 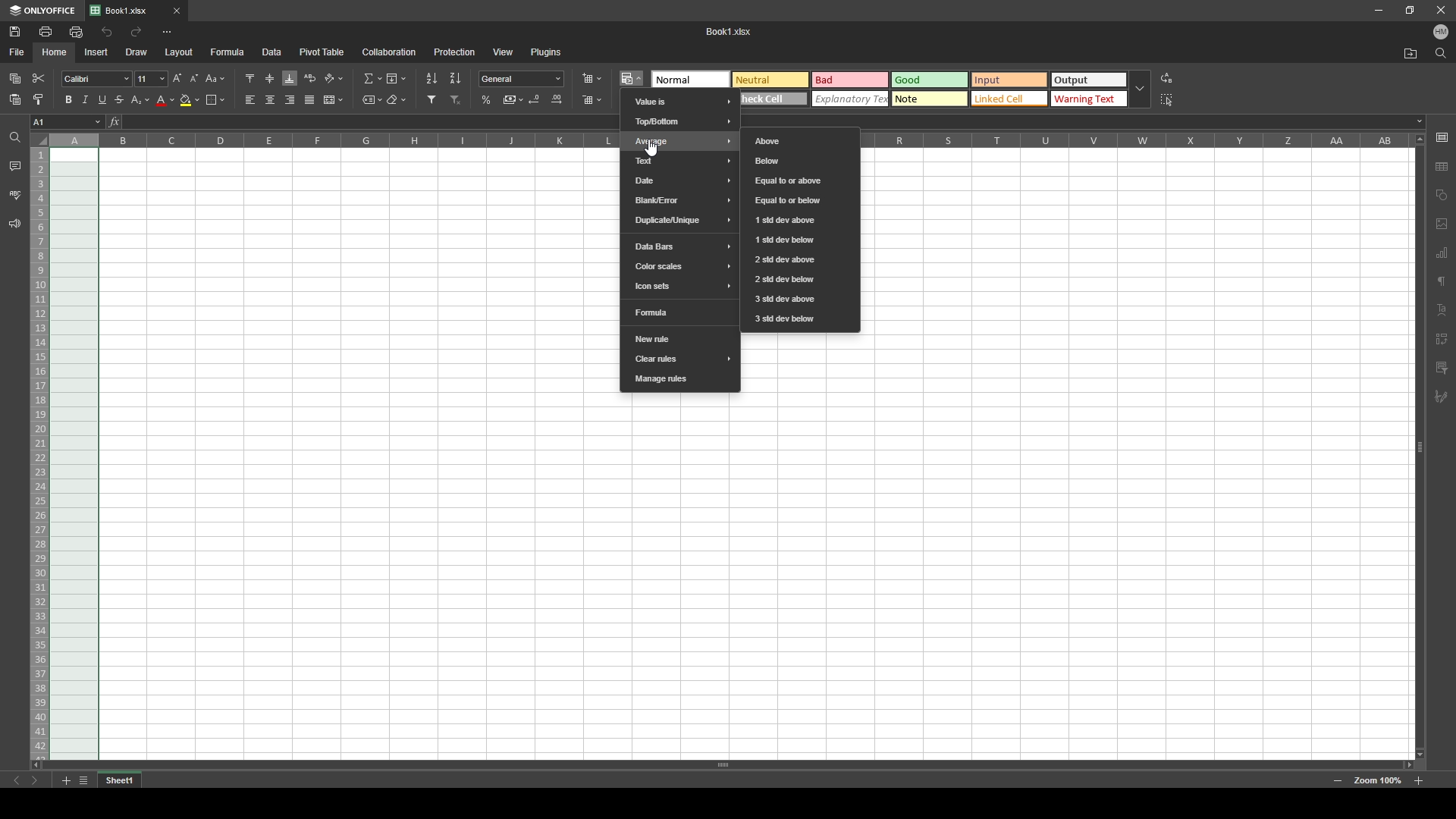 I want to click on normal, so click(x=694, y=77).